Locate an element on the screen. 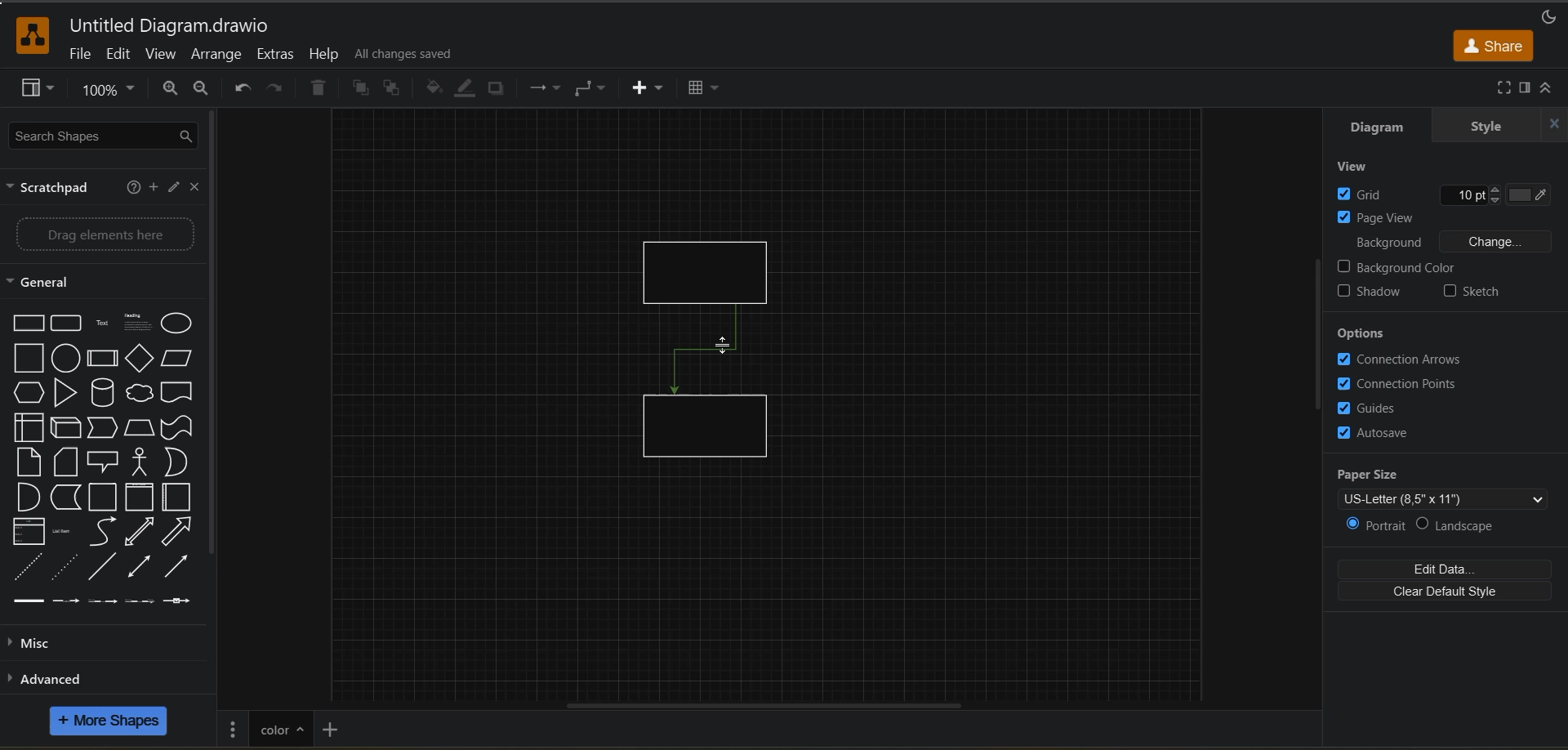  diagram is located at coordinates (1374, 130).